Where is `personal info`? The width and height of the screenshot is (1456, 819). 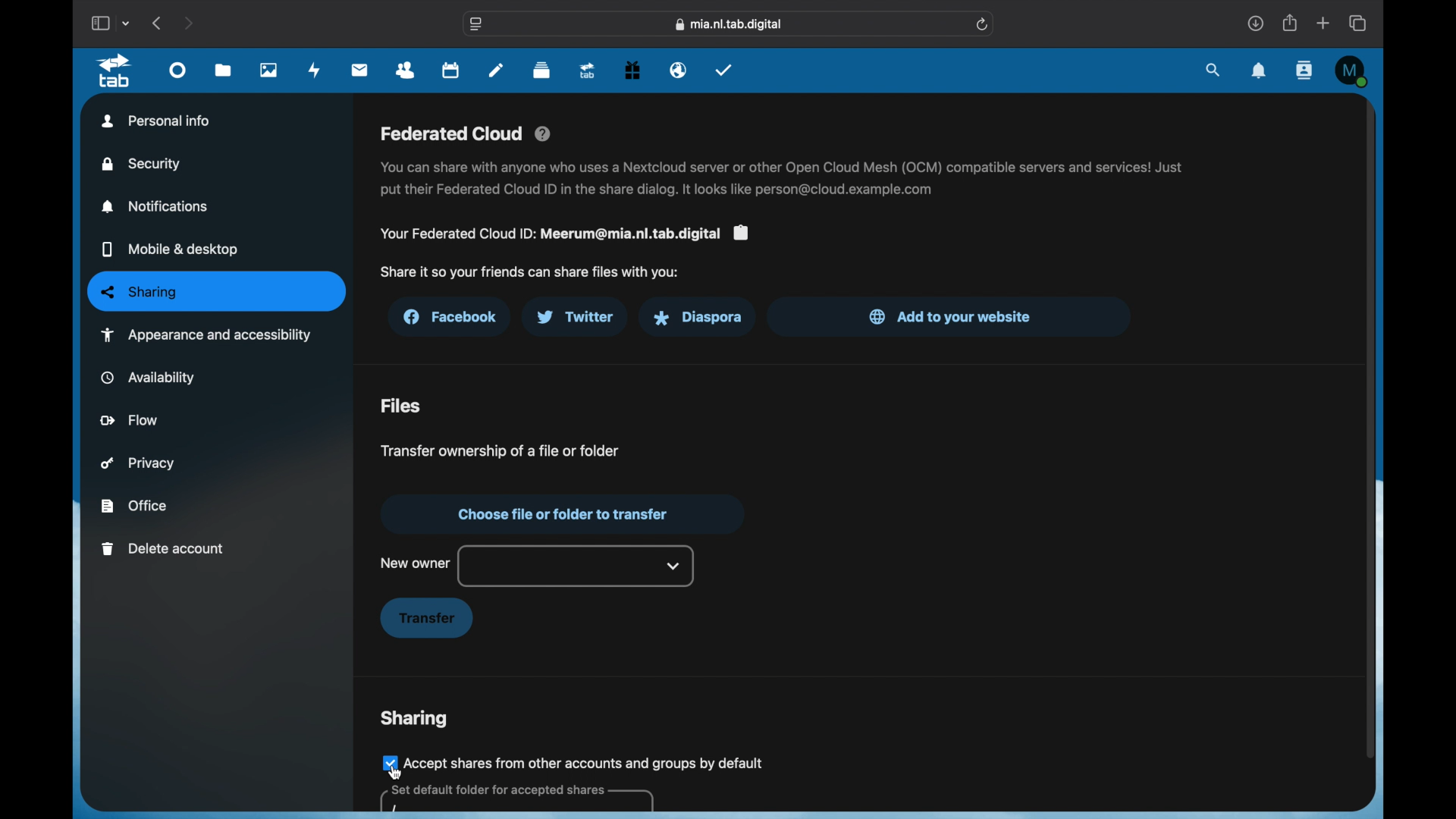 personal info is located at coordinates (156, 121).